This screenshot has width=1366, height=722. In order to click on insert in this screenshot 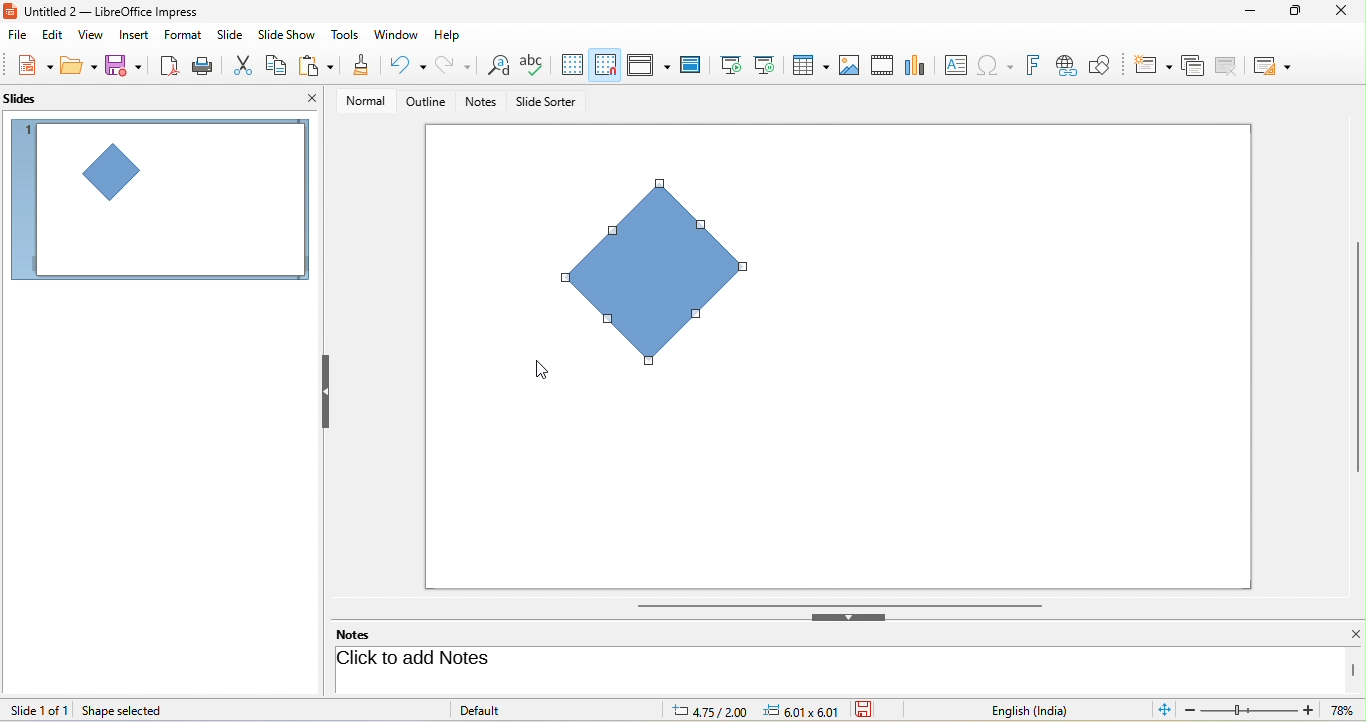, I will do `click(132, 35)`.